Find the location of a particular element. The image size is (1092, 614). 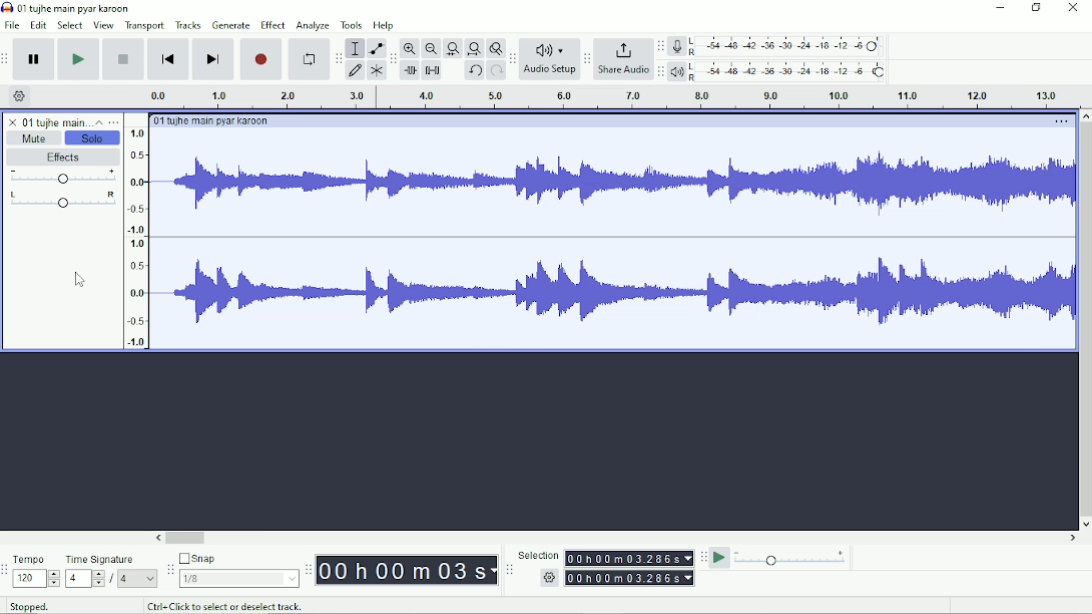

Minimize is located at coordinates (1001, 8).